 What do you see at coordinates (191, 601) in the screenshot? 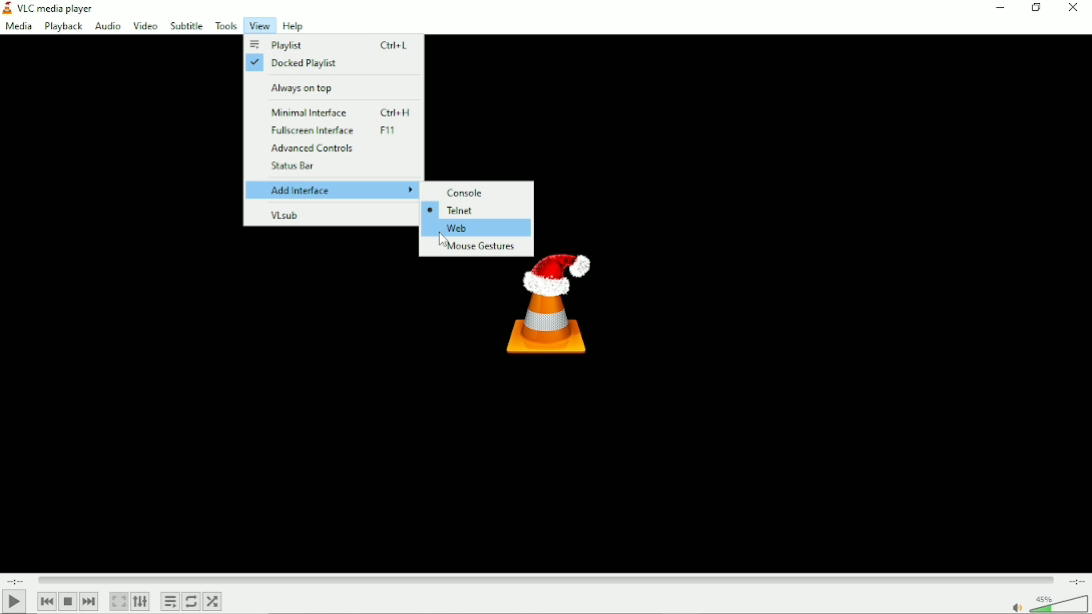
I see `Toggle between loop all, loop one and no loop` at bounding box center [191, 601].